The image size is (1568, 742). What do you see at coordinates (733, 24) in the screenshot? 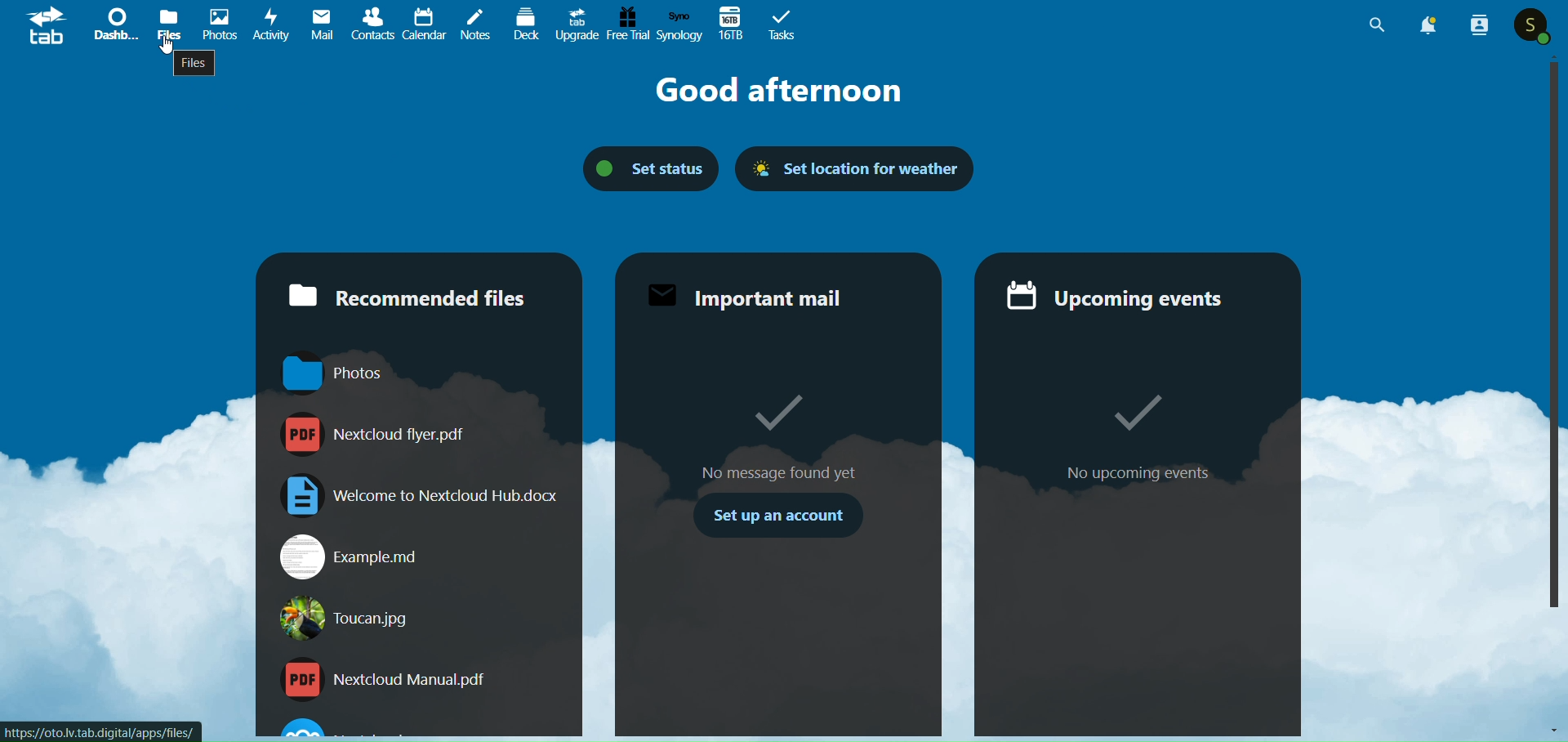
I see `16tb` at bounding box center [733, 24].